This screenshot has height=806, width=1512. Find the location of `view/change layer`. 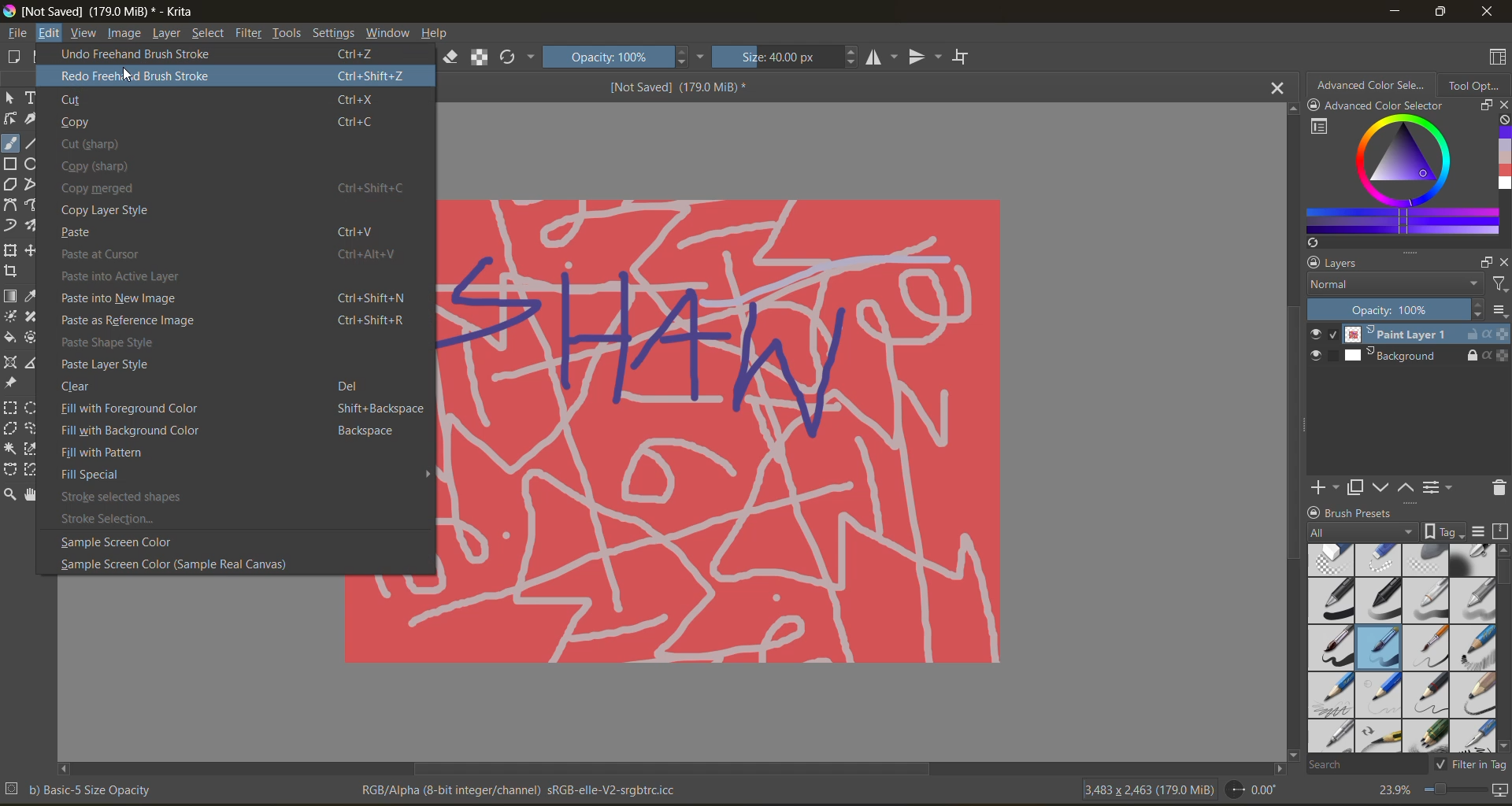

view/change layer is located at coordinates (1440, 488).